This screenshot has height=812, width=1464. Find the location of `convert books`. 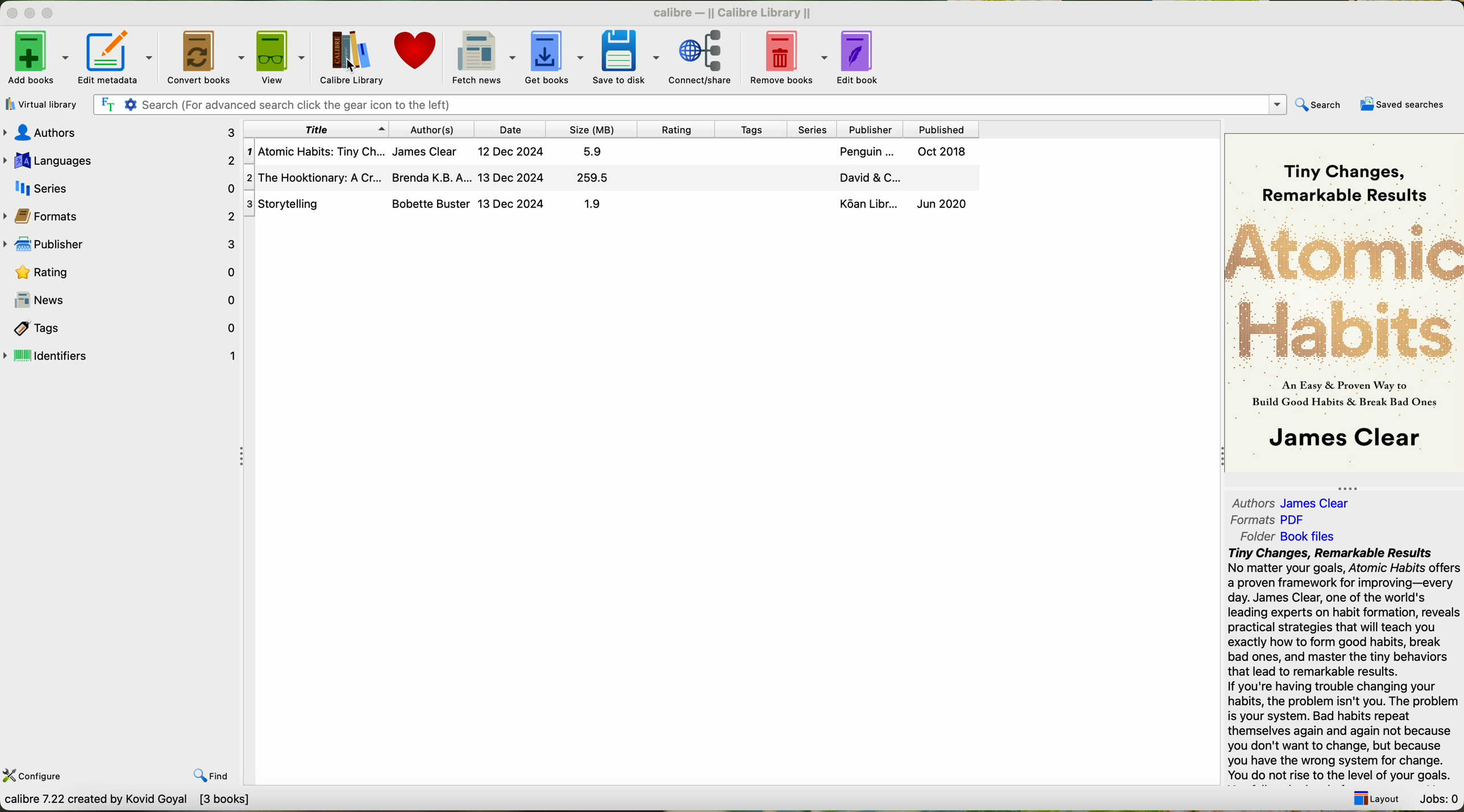

convert books is located at coordinates (203, 56).